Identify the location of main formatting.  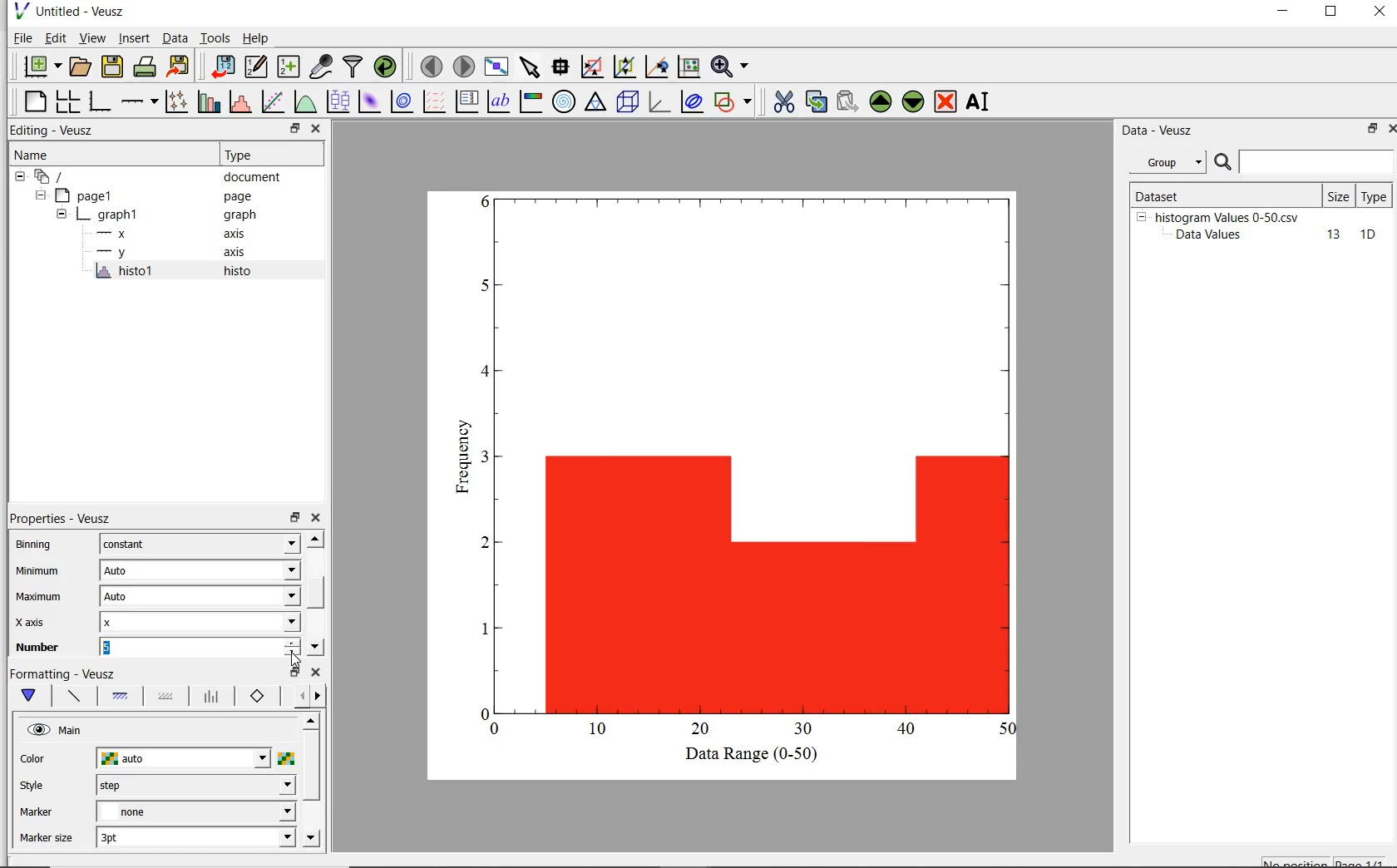
(32, 696).